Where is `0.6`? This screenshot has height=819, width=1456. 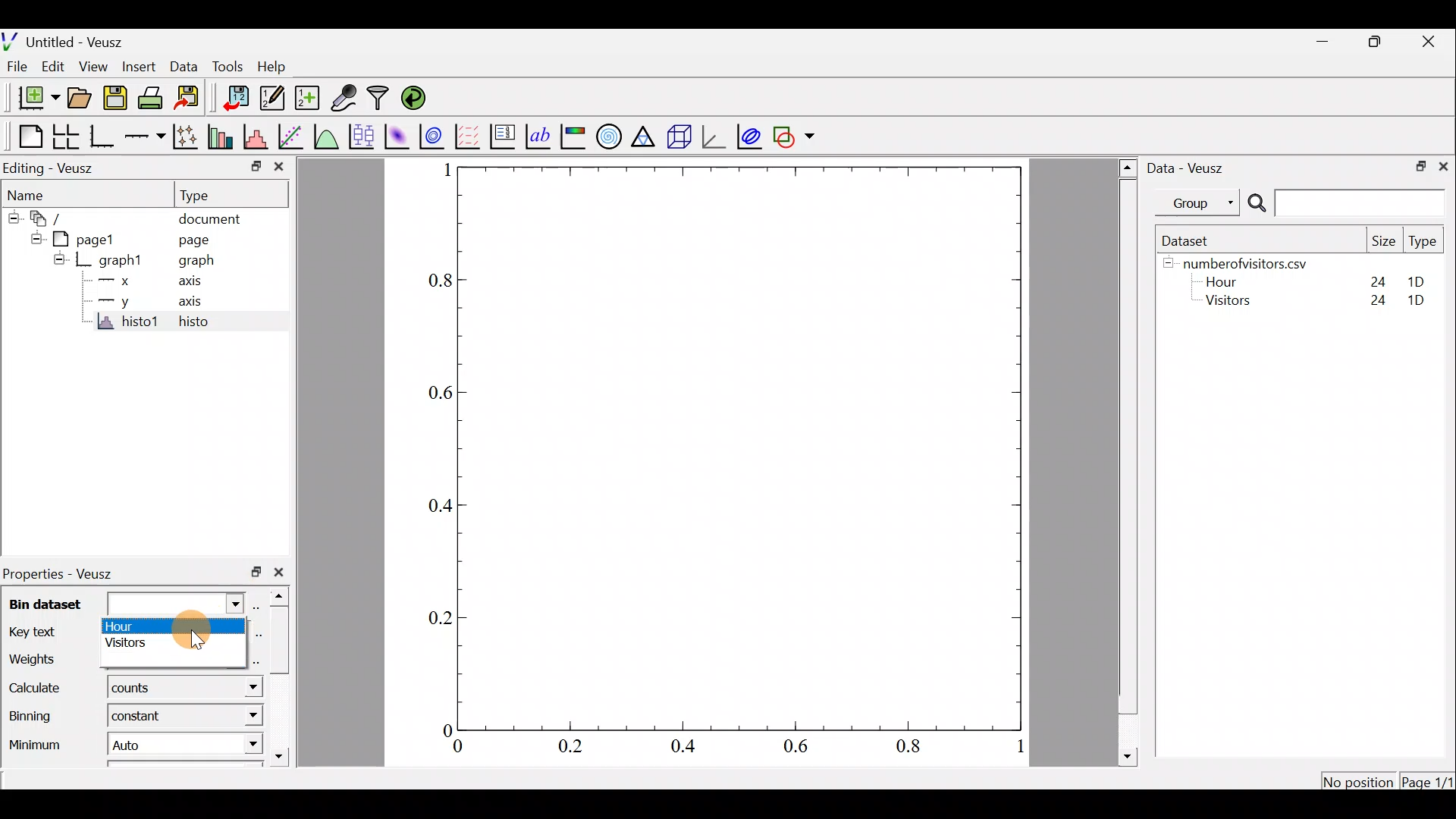
0.6 is located at coordinates (798, 748).